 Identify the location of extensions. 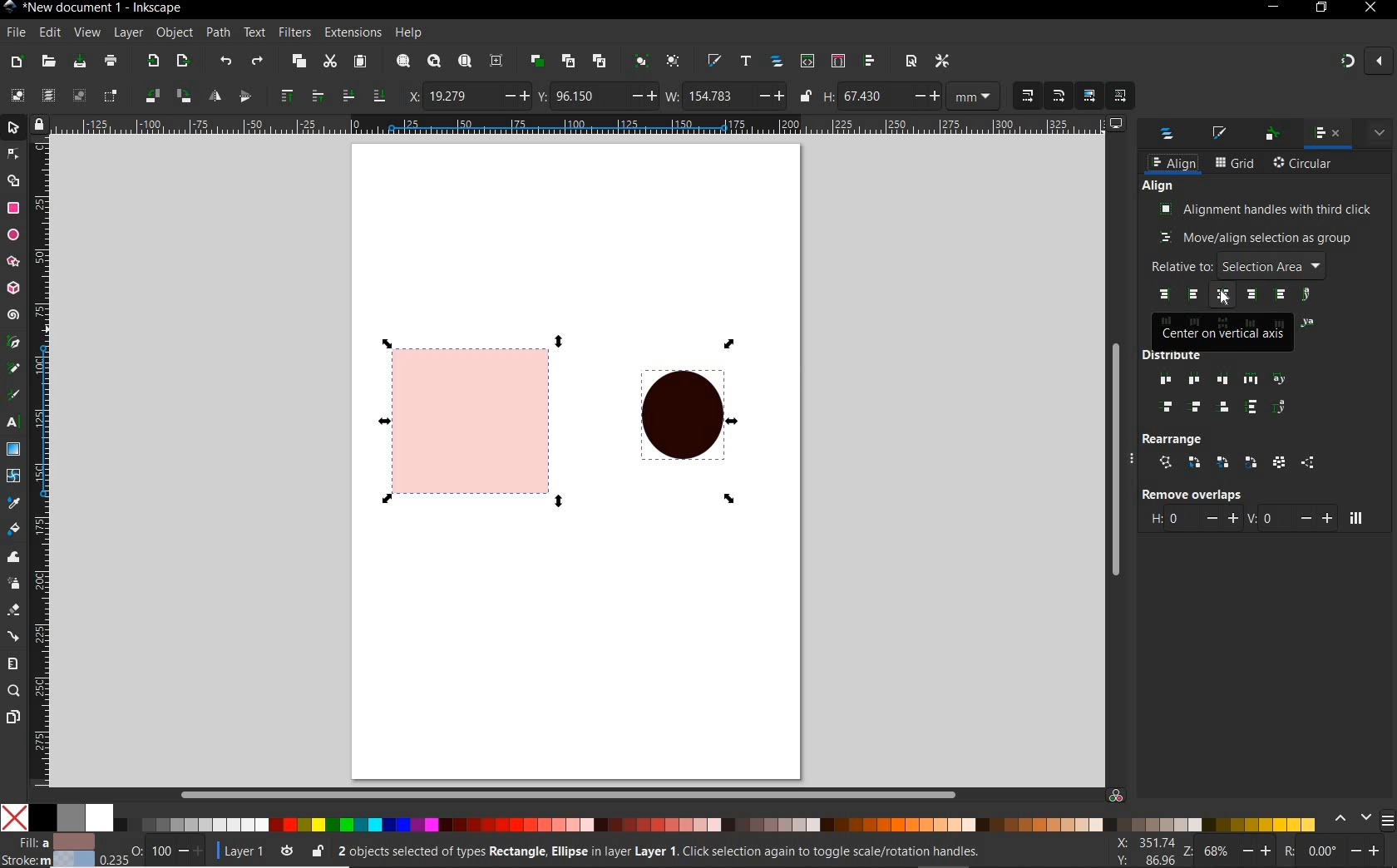
(351, 32).